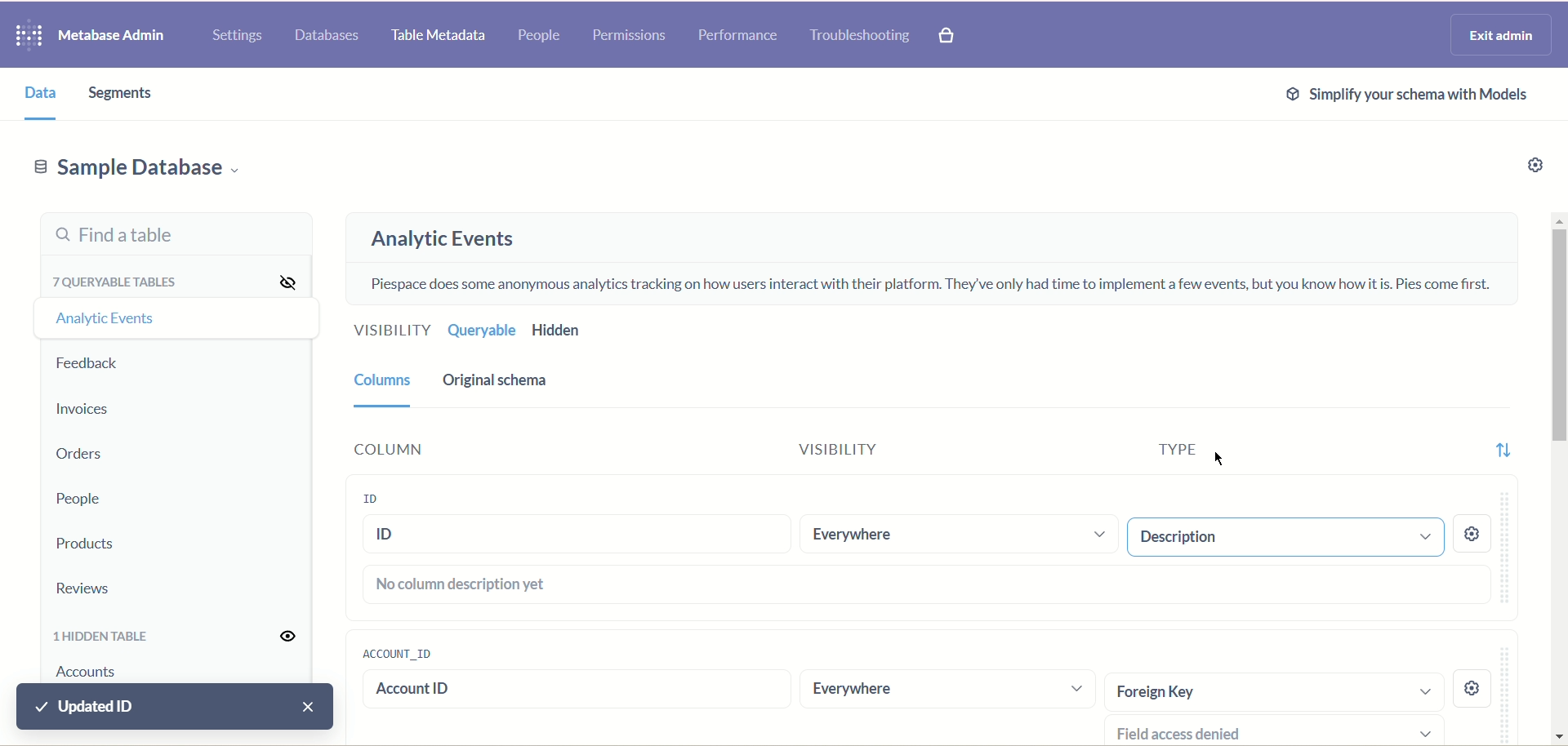  I want to click on Account ID, so click(567, 691).